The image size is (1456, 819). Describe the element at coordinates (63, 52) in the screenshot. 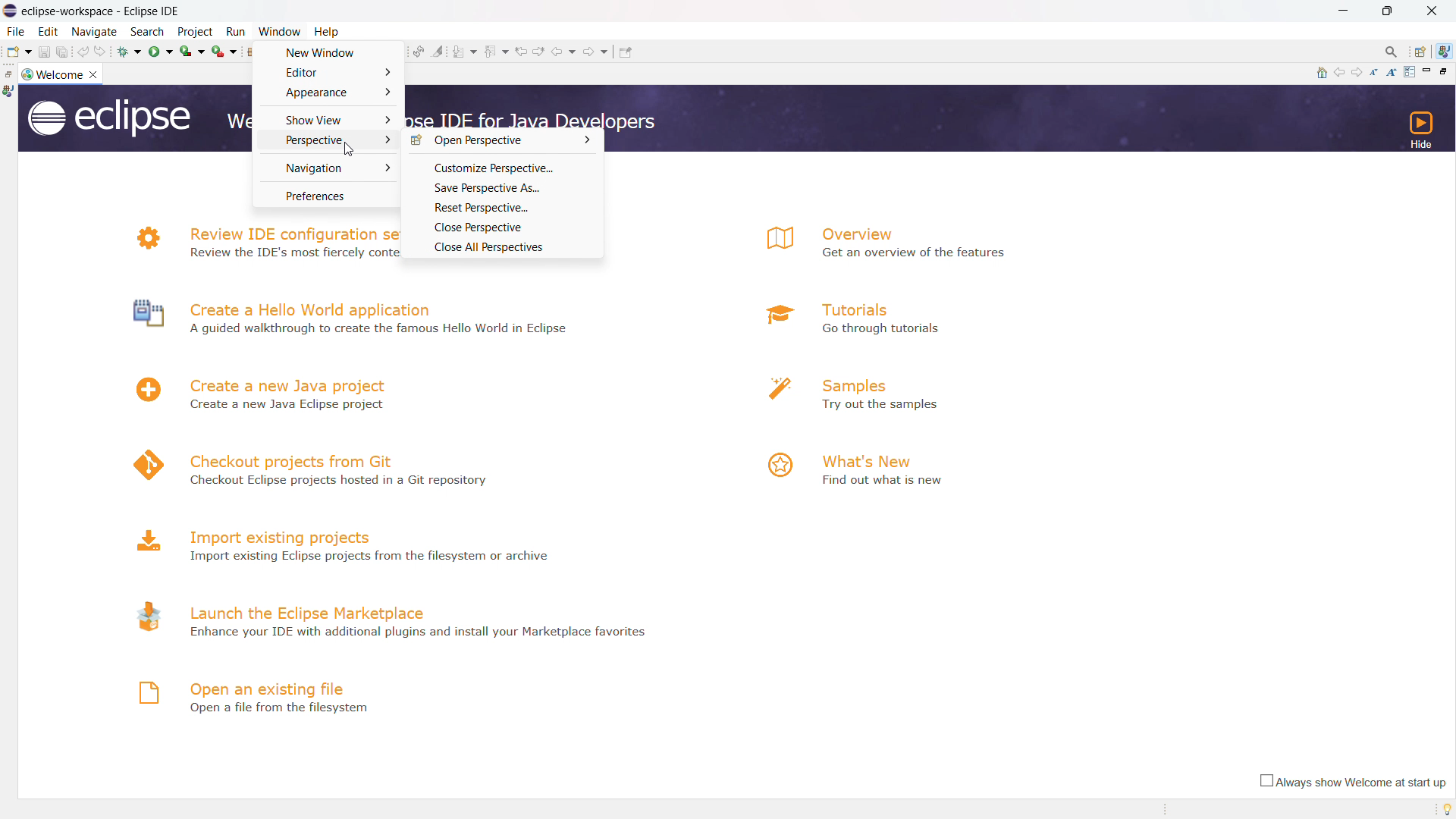

I see `save all` at that location.